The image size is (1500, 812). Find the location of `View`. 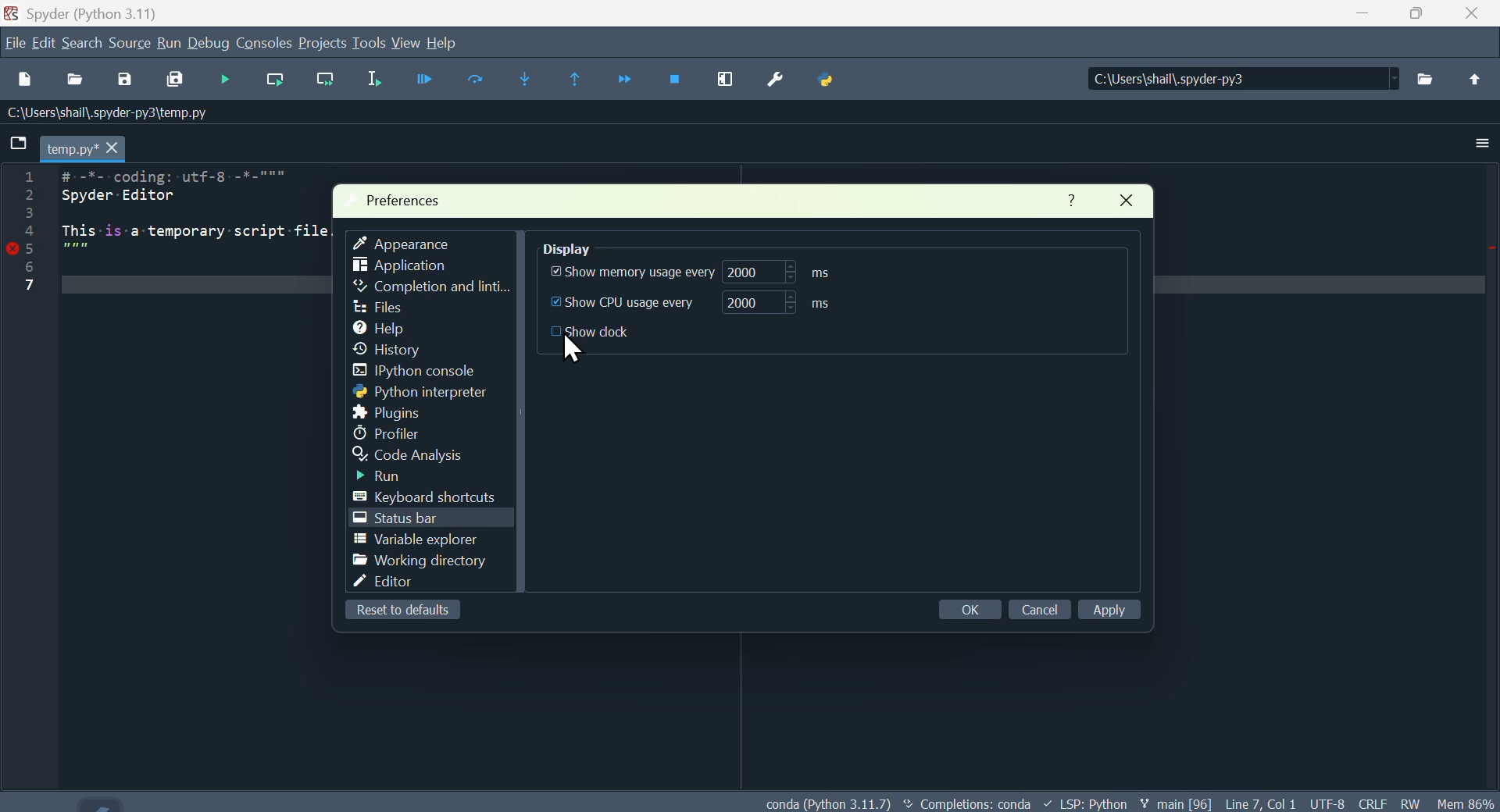

View is located at coordinates (406, 43).